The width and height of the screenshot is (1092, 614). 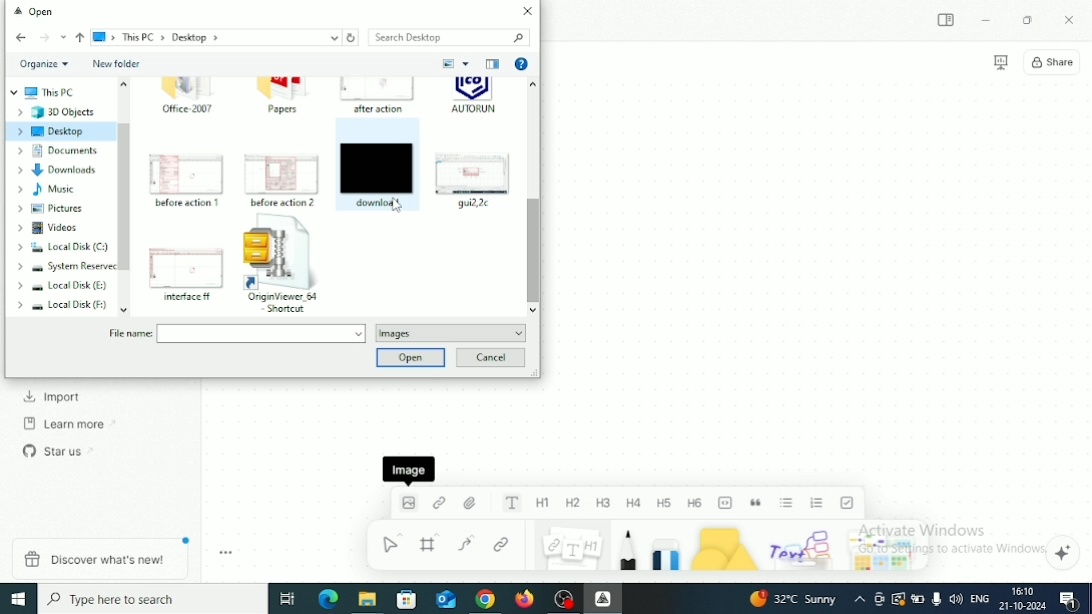 I want to click on Shape, so click(x=726, y=547).